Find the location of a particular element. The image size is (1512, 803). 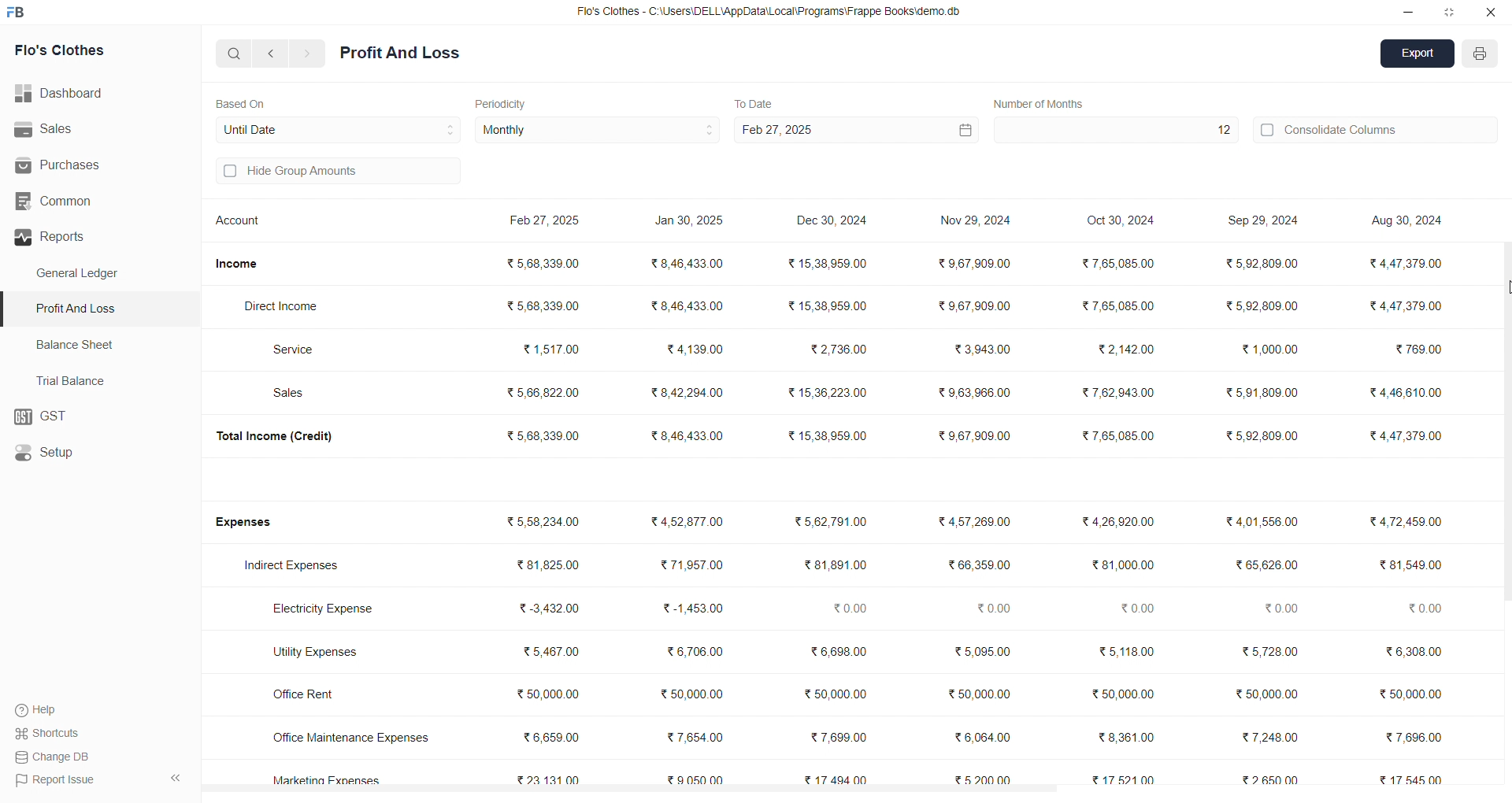

Export is located at coordinates (1418, 55).